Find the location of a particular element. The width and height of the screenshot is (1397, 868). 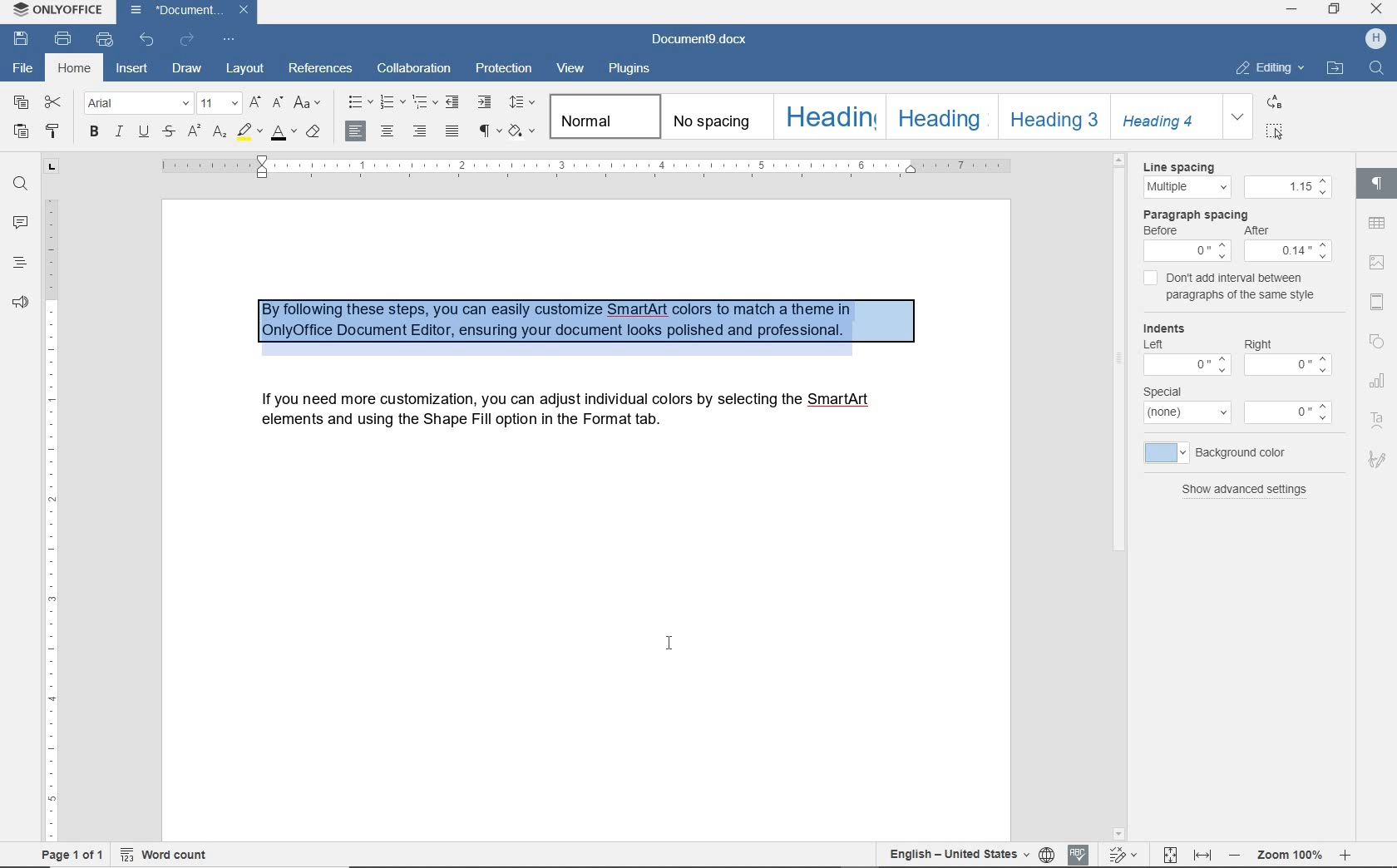

align right is located at coordinates (418, 131).